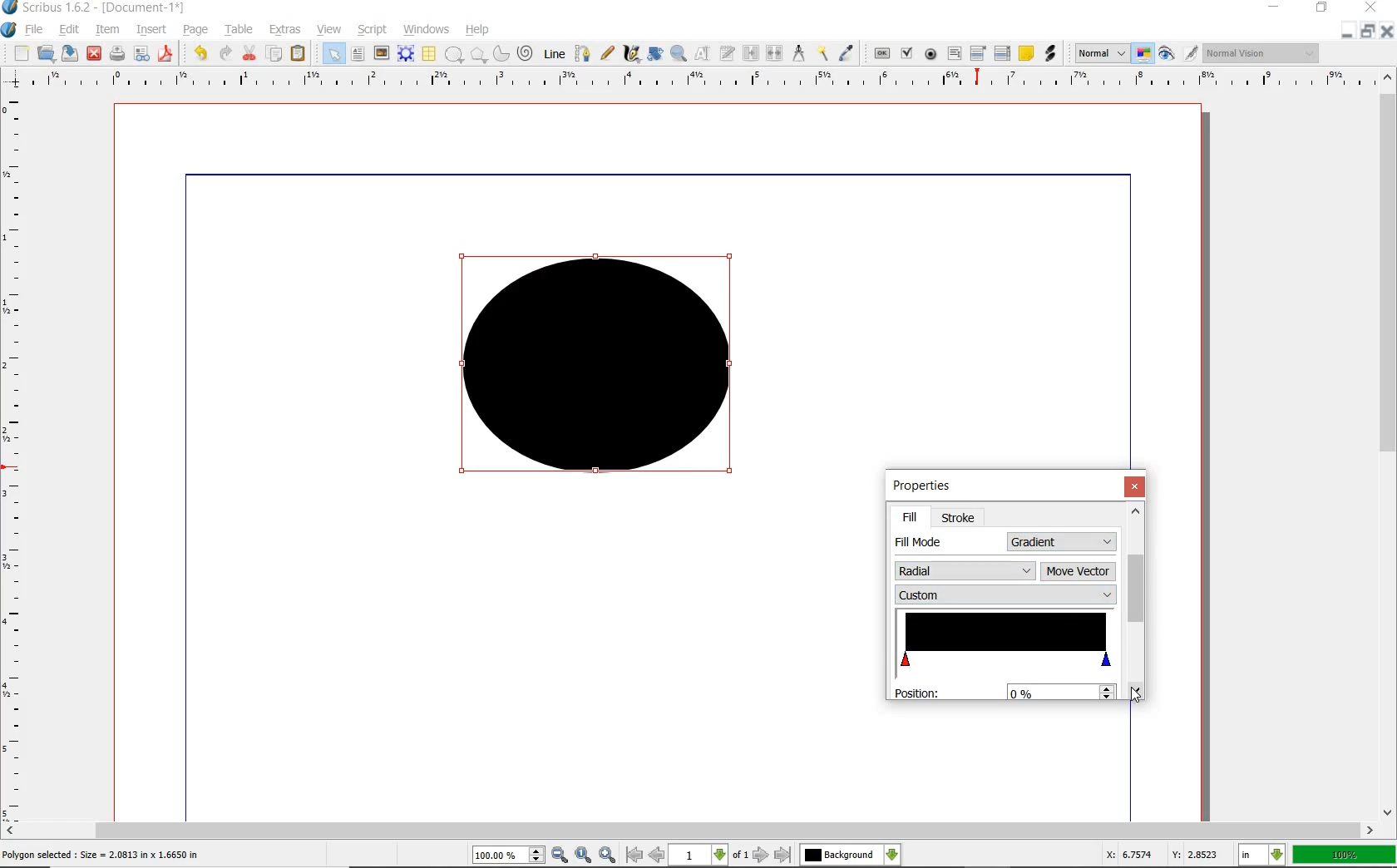  I want to click on SCROLLBAR, so click(1389, 442).